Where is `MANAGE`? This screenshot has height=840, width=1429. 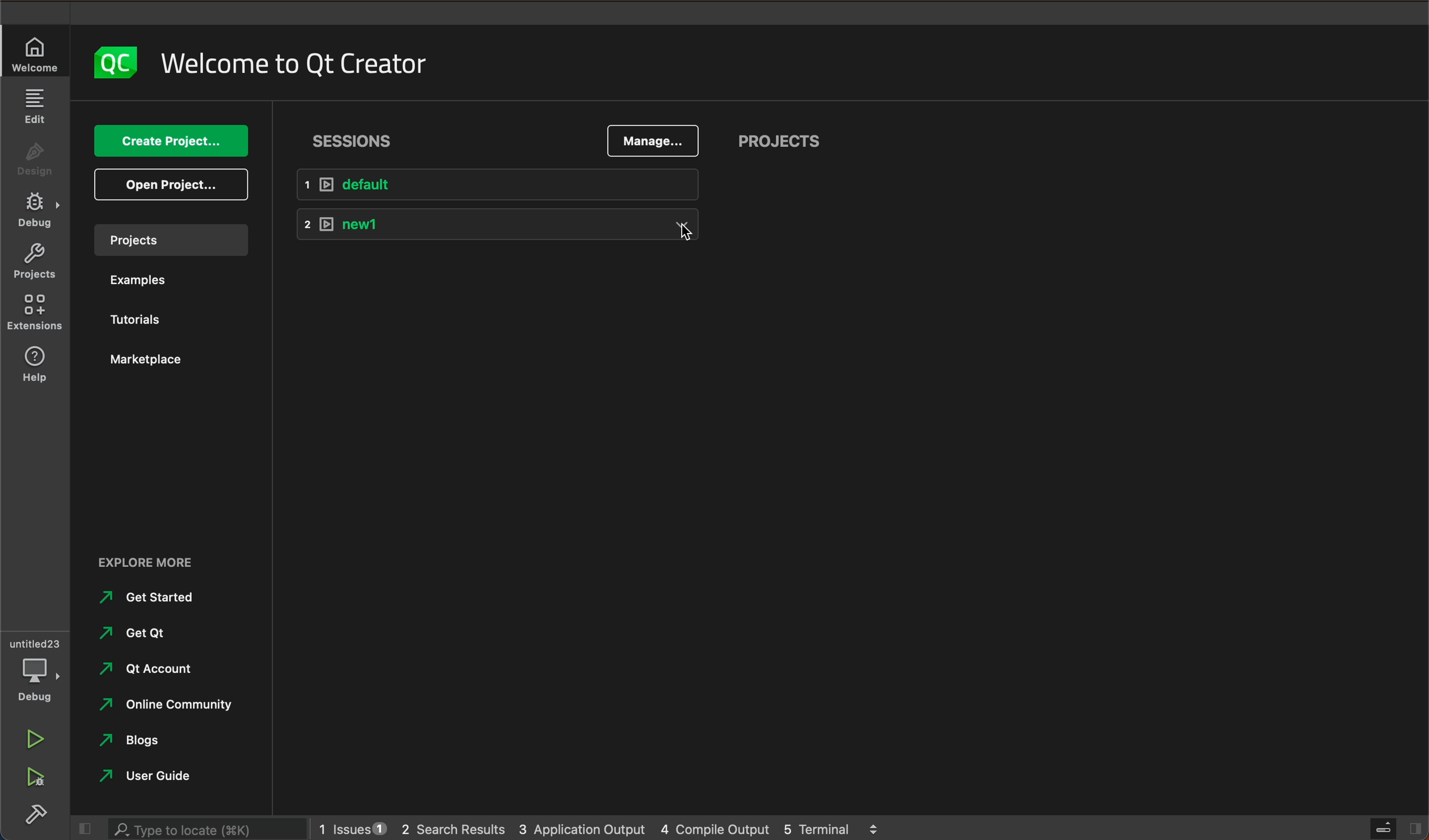 MANAGE is located at coordinates (652, 142).